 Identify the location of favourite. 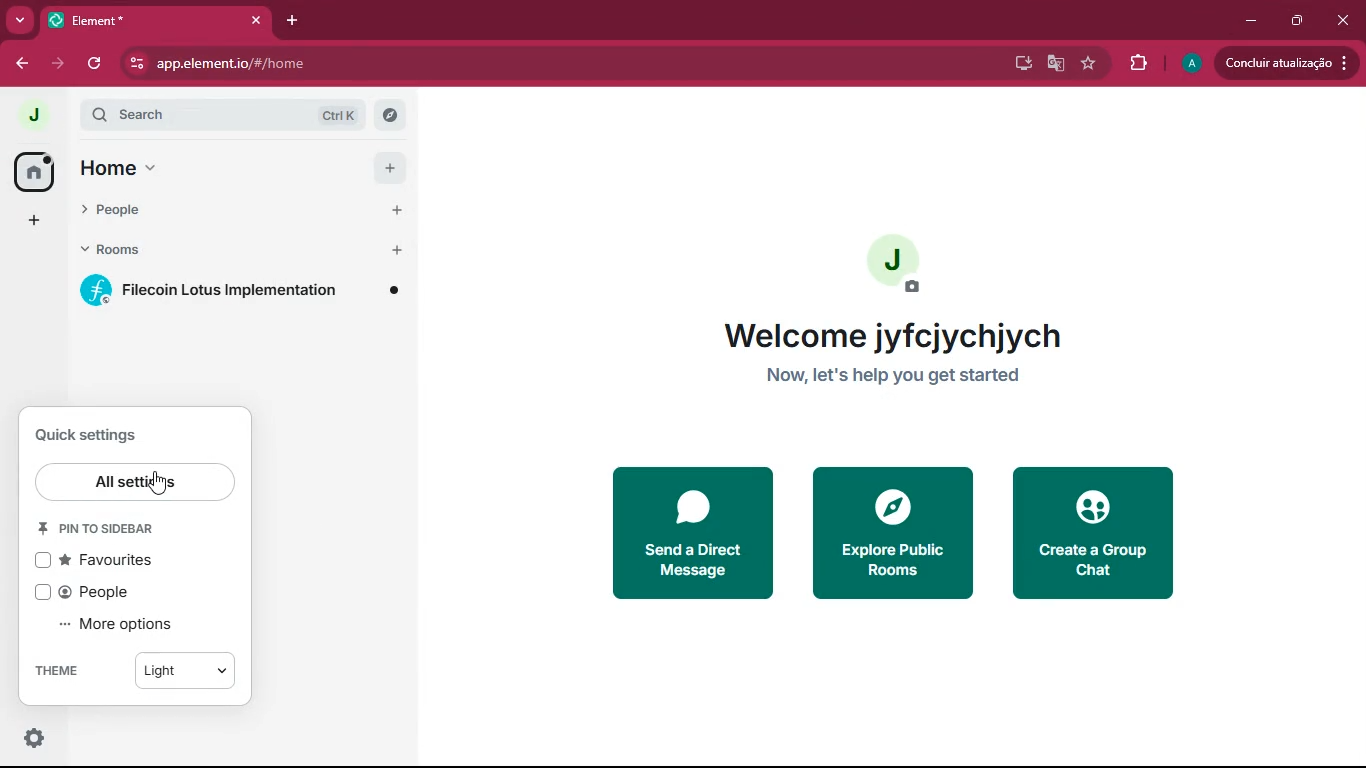
(1088, 65).